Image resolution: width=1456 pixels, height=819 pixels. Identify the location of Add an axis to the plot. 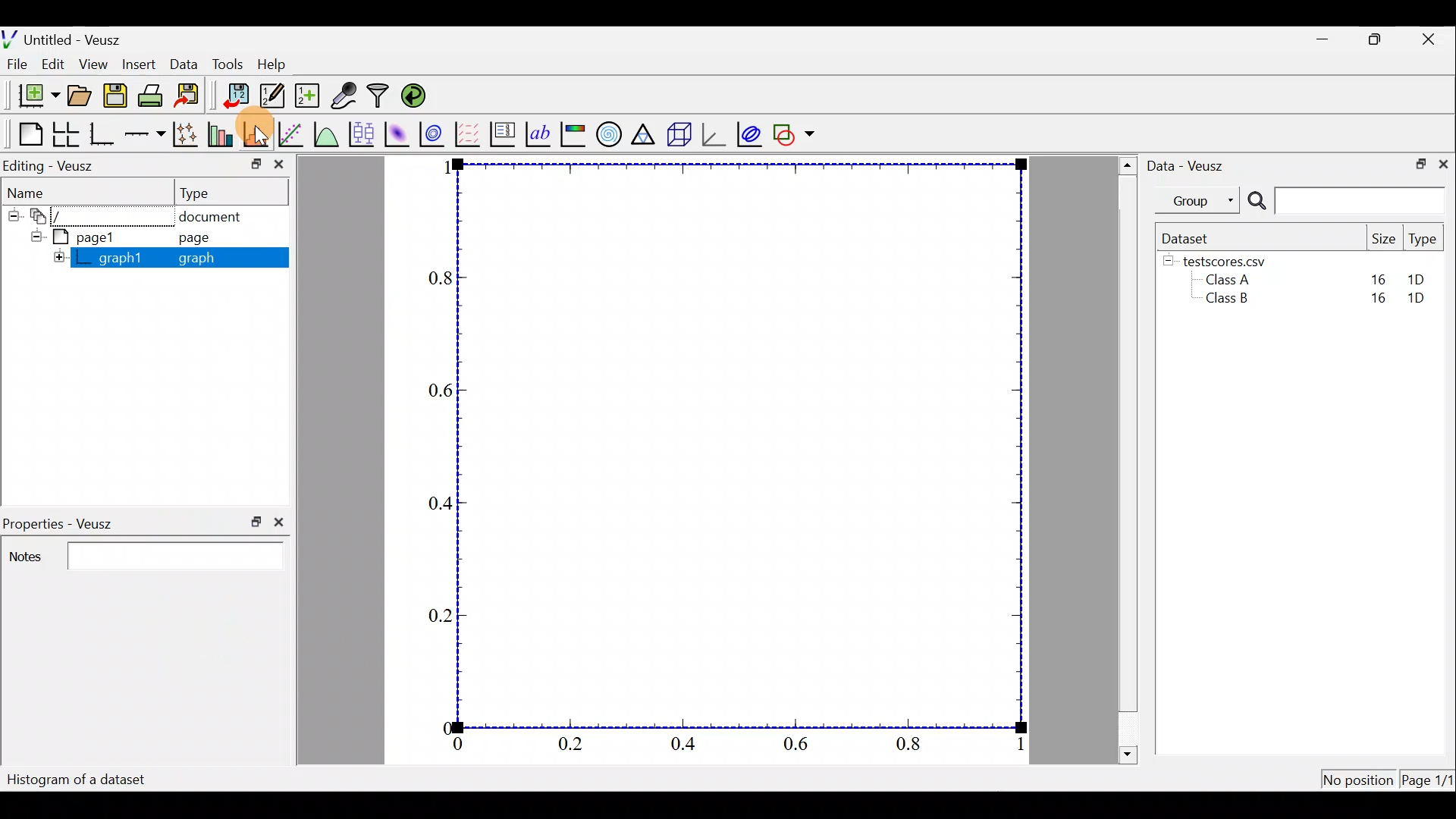
(144, 135).